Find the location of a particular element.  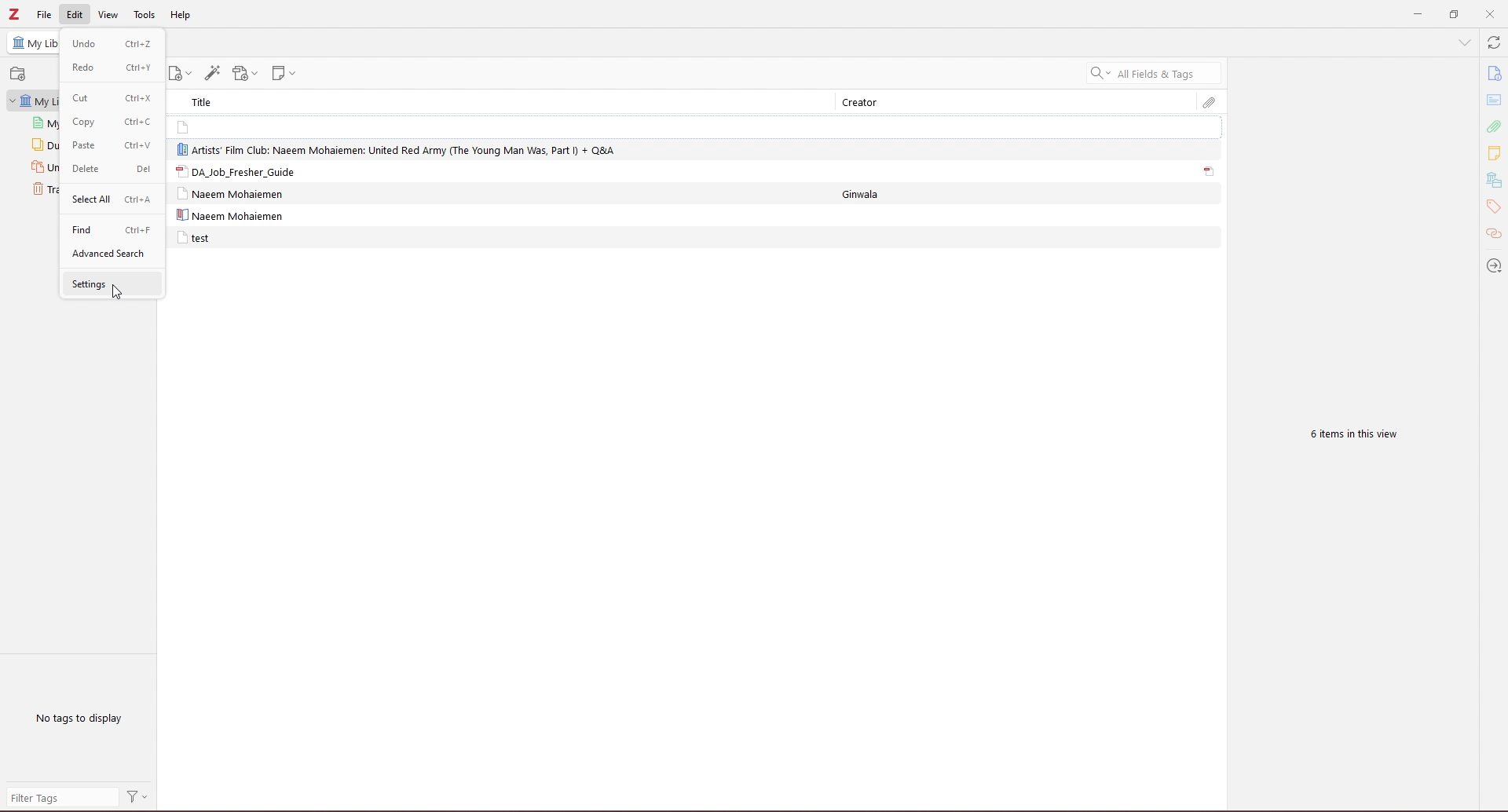

attachment is located at coordinates (1210, 103).